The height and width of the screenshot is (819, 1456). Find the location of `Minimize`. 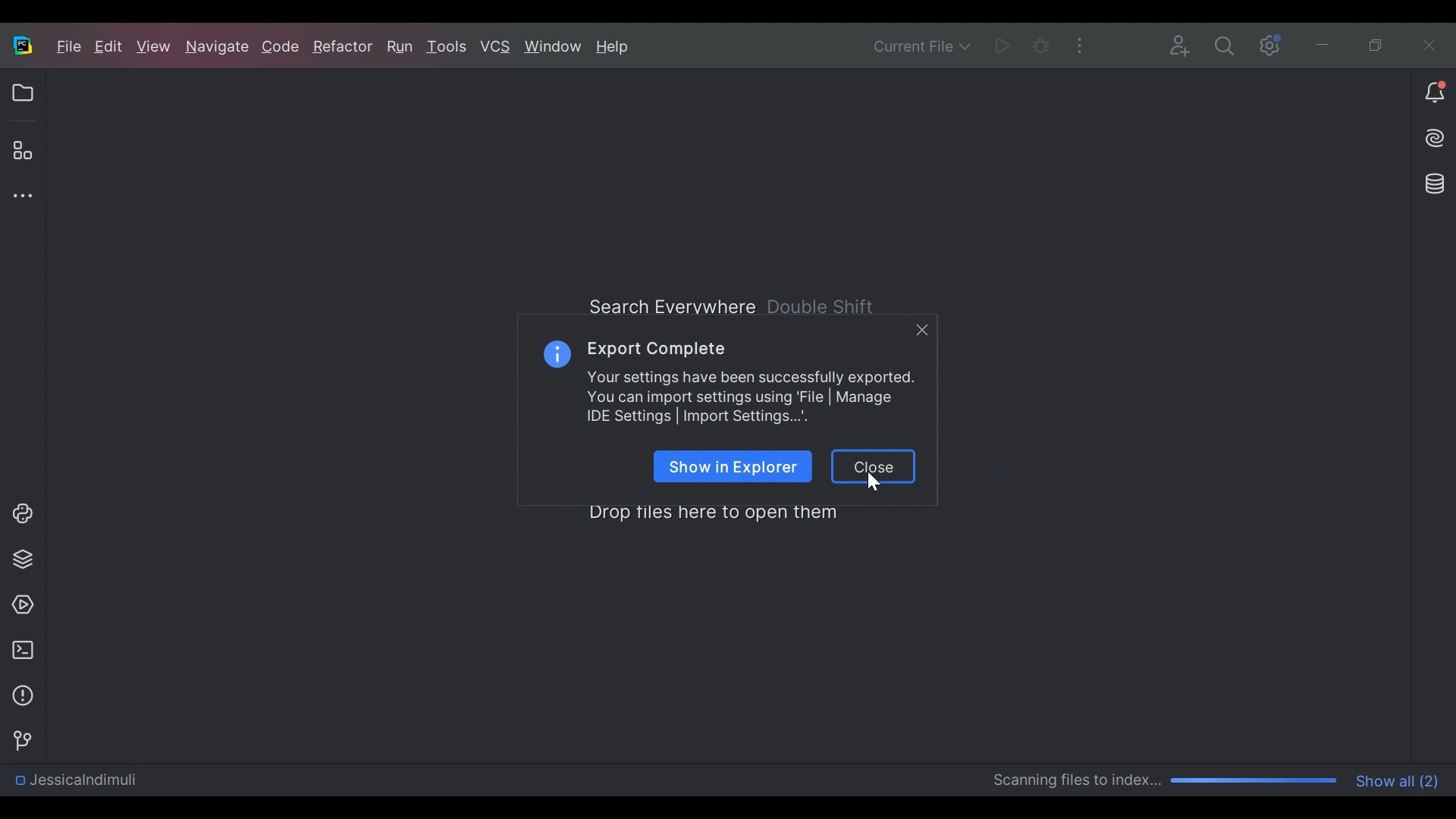

Minimize is located at coordinates (1321, 43).